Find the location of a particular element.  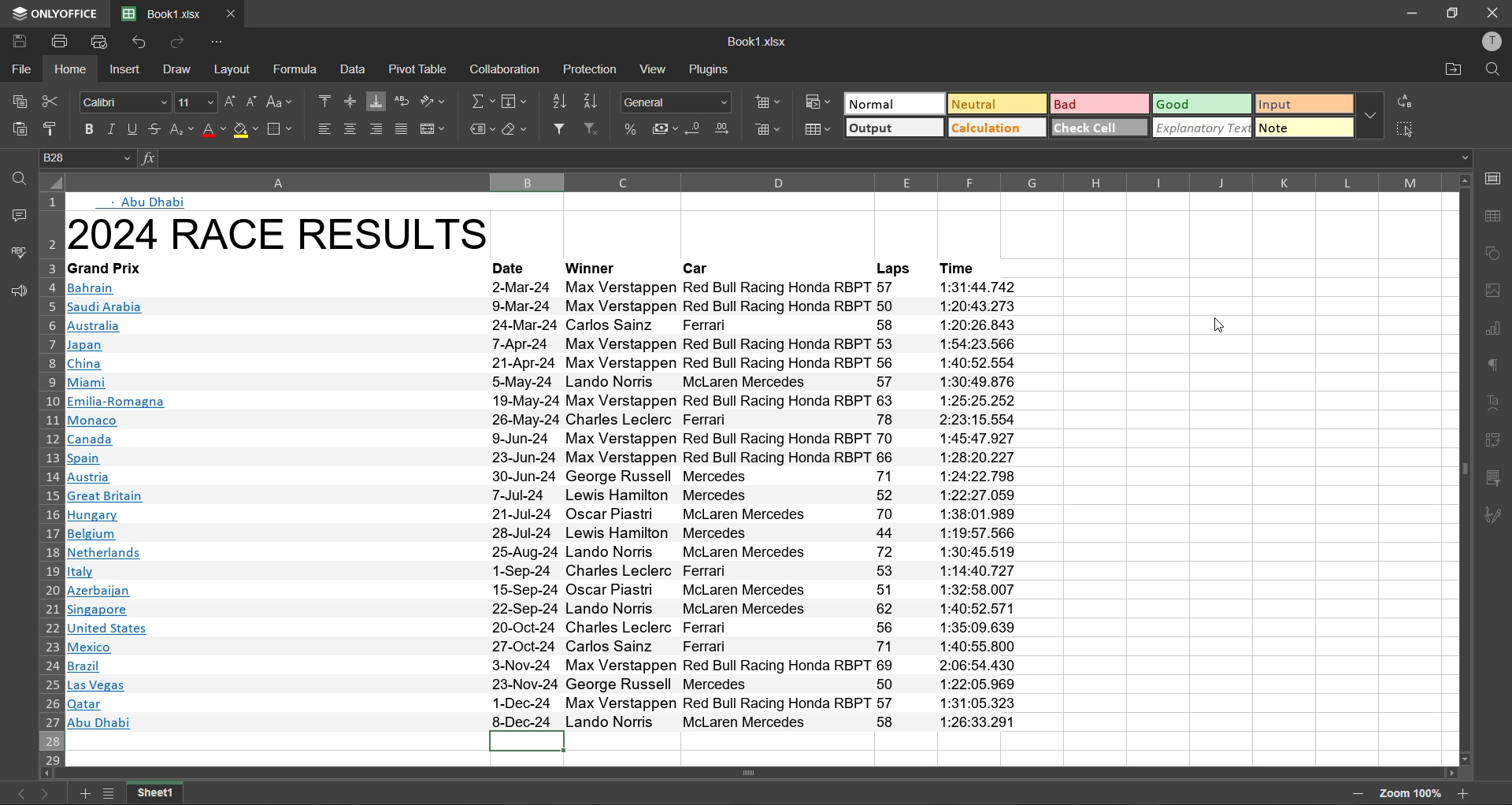

vertical scrollbar is located at coordinates (1463, 466).